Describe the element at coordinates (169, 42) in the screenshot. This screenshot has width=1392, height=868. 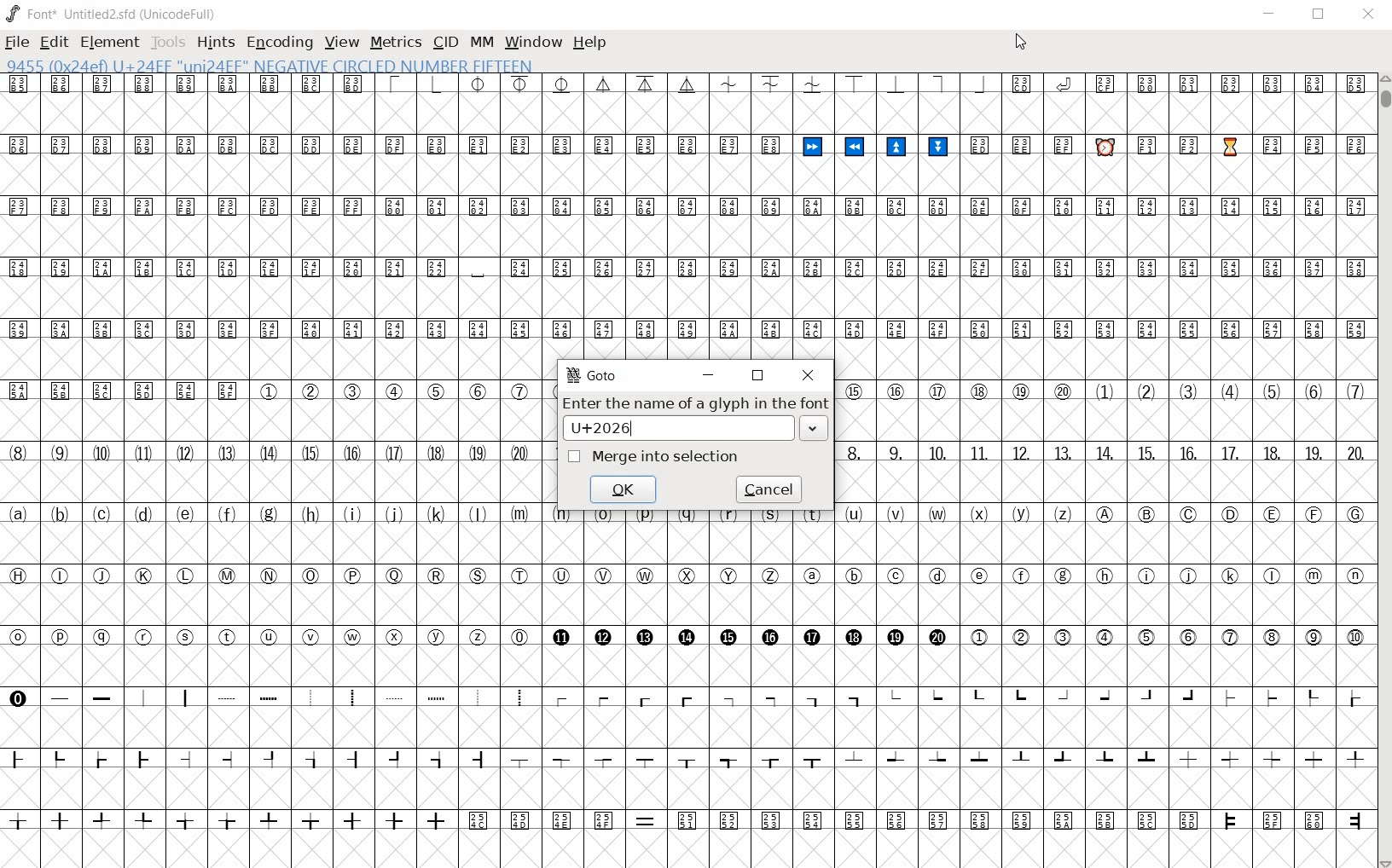
I see `TOOLS` at that location.